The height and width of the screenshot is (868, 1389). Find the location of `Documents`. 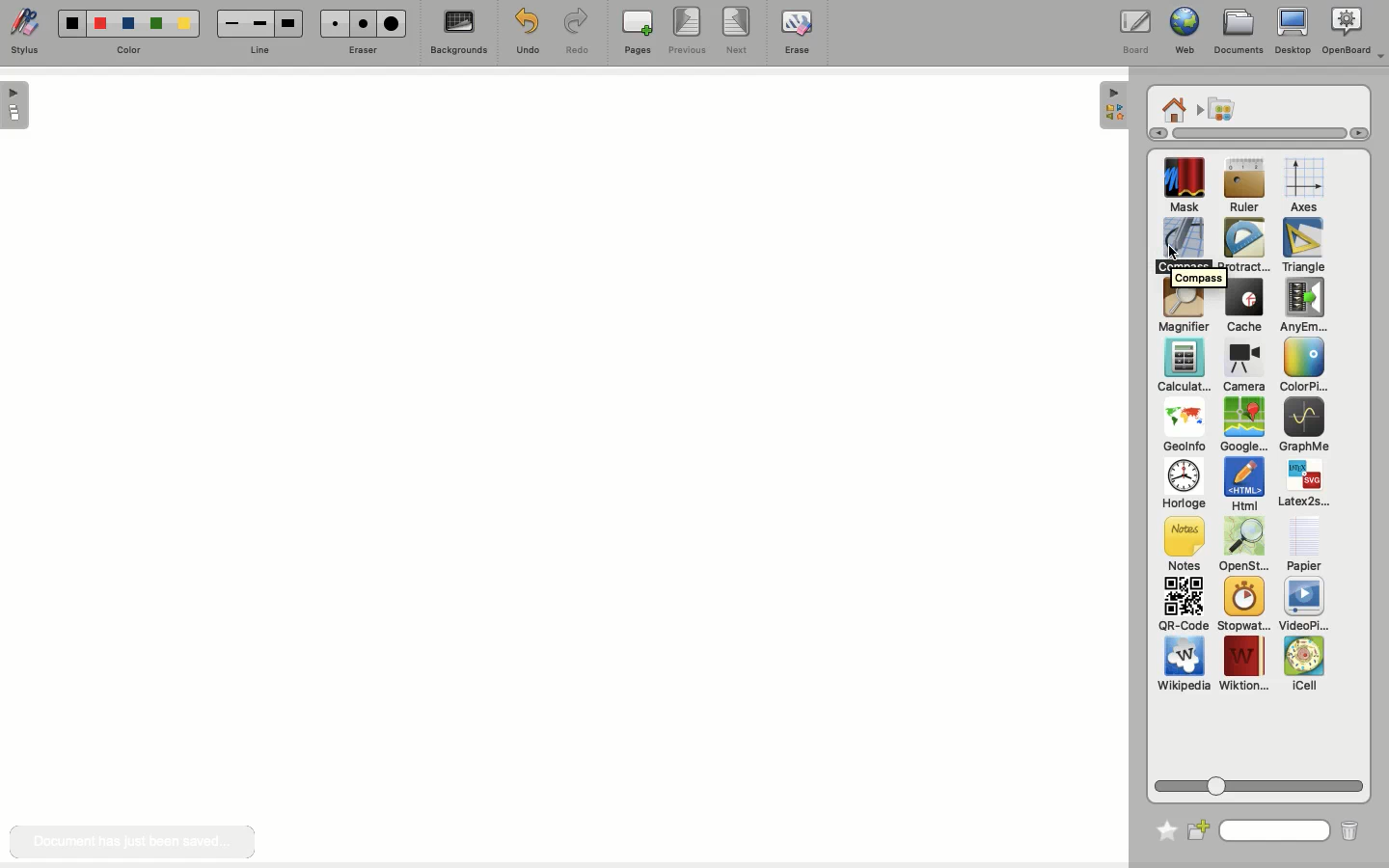

Documents is located at coordinates (1239, 32).